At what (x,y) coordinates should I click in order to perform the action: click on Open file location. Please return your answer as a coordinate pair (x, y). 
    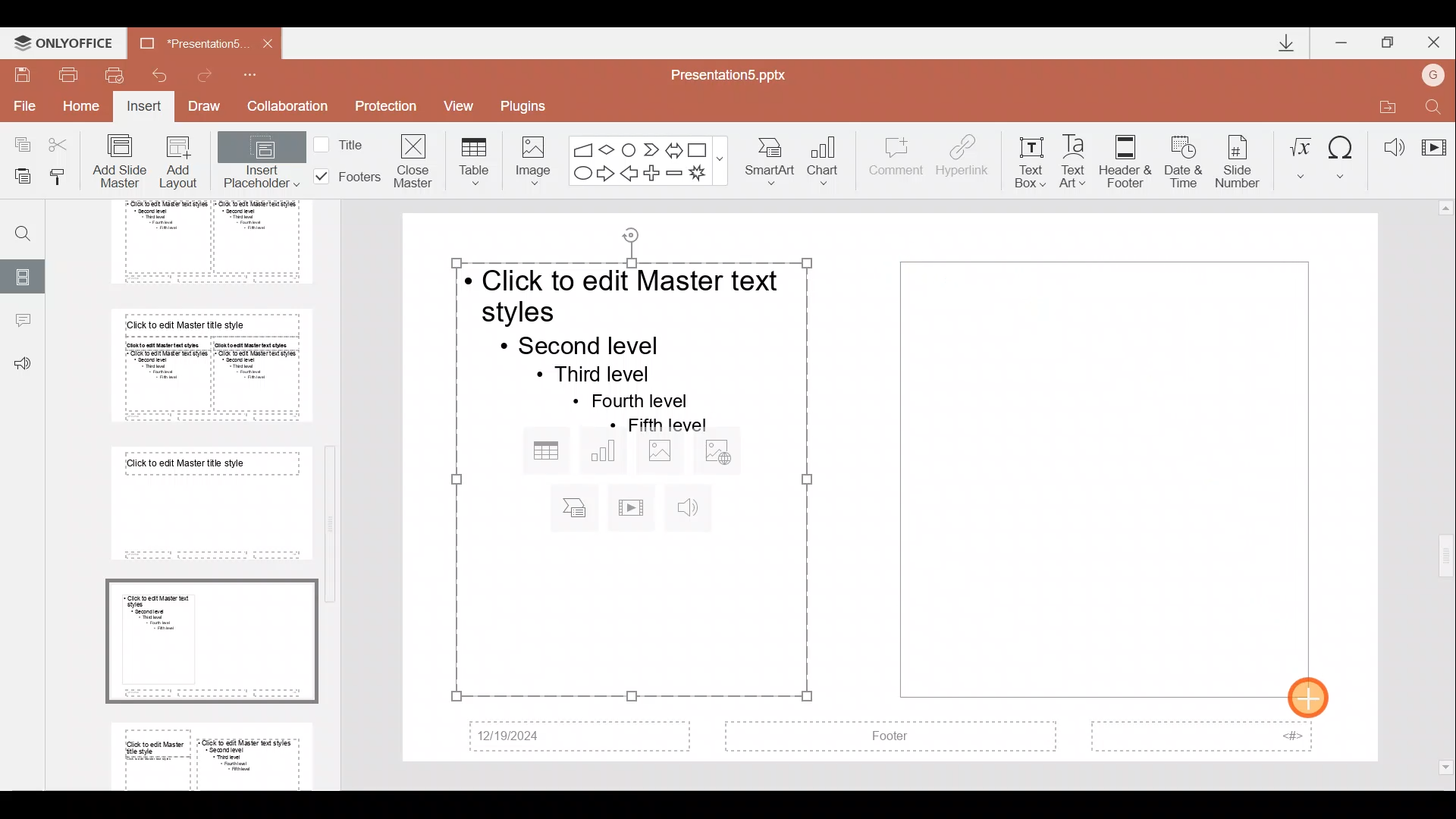
    Looking at the image, I should click on (1384, 104).